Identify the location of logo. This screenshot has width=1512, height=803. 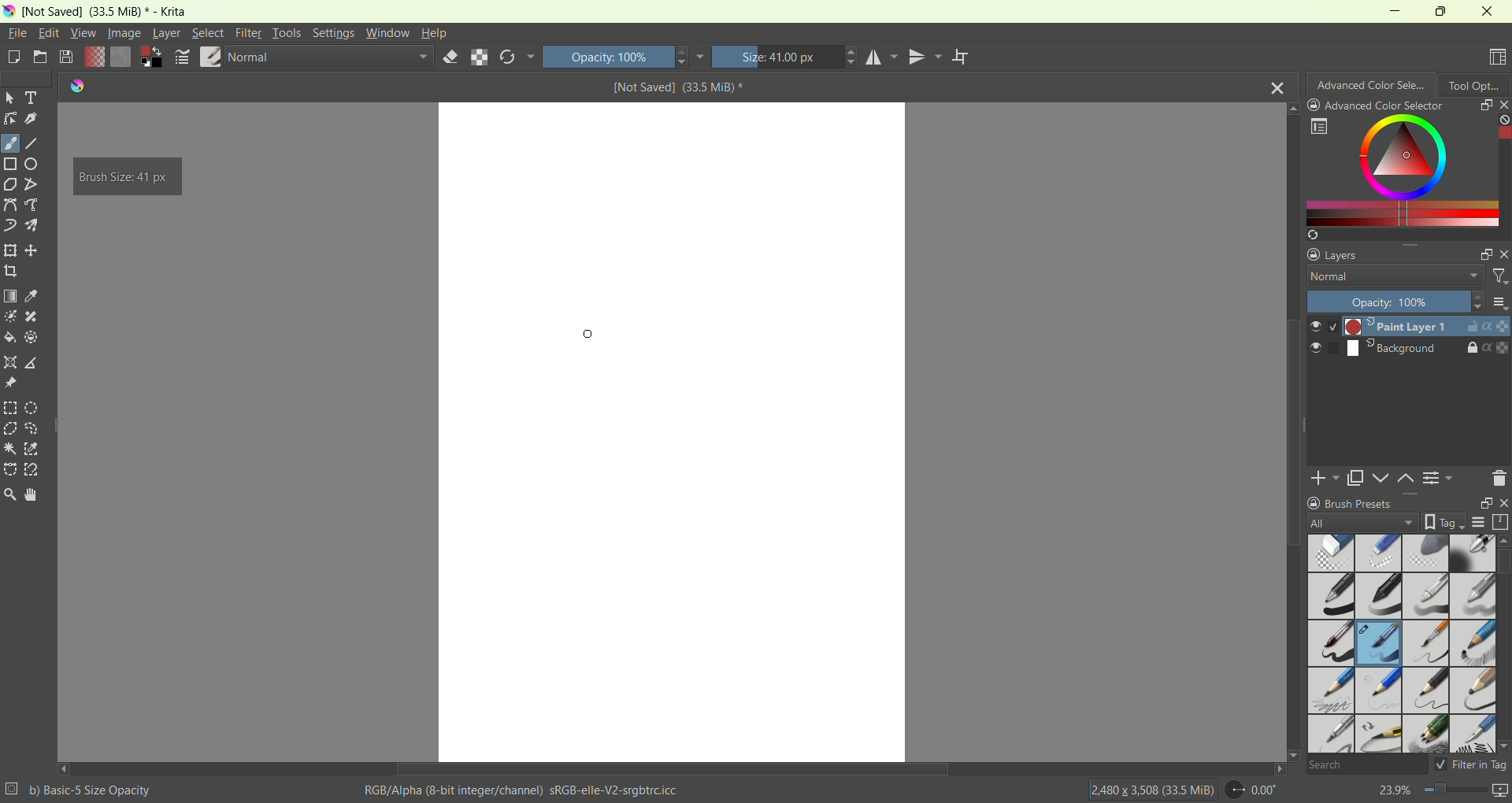
(73, 86).